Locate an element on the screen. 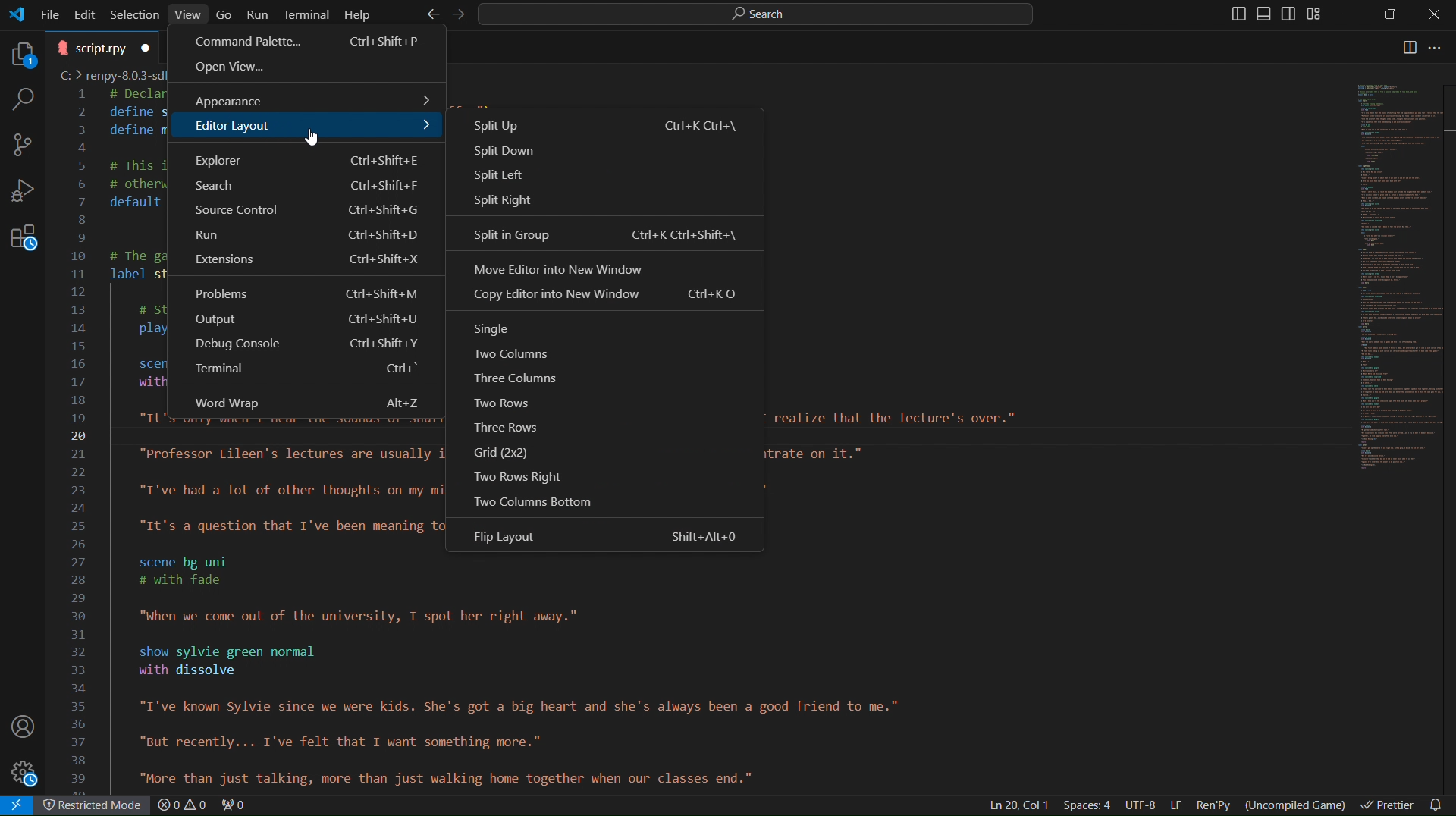 The height and width of the screenshot is (816, 1456). Problems   ctrl+shift+M is located at coordinates (306, 292).